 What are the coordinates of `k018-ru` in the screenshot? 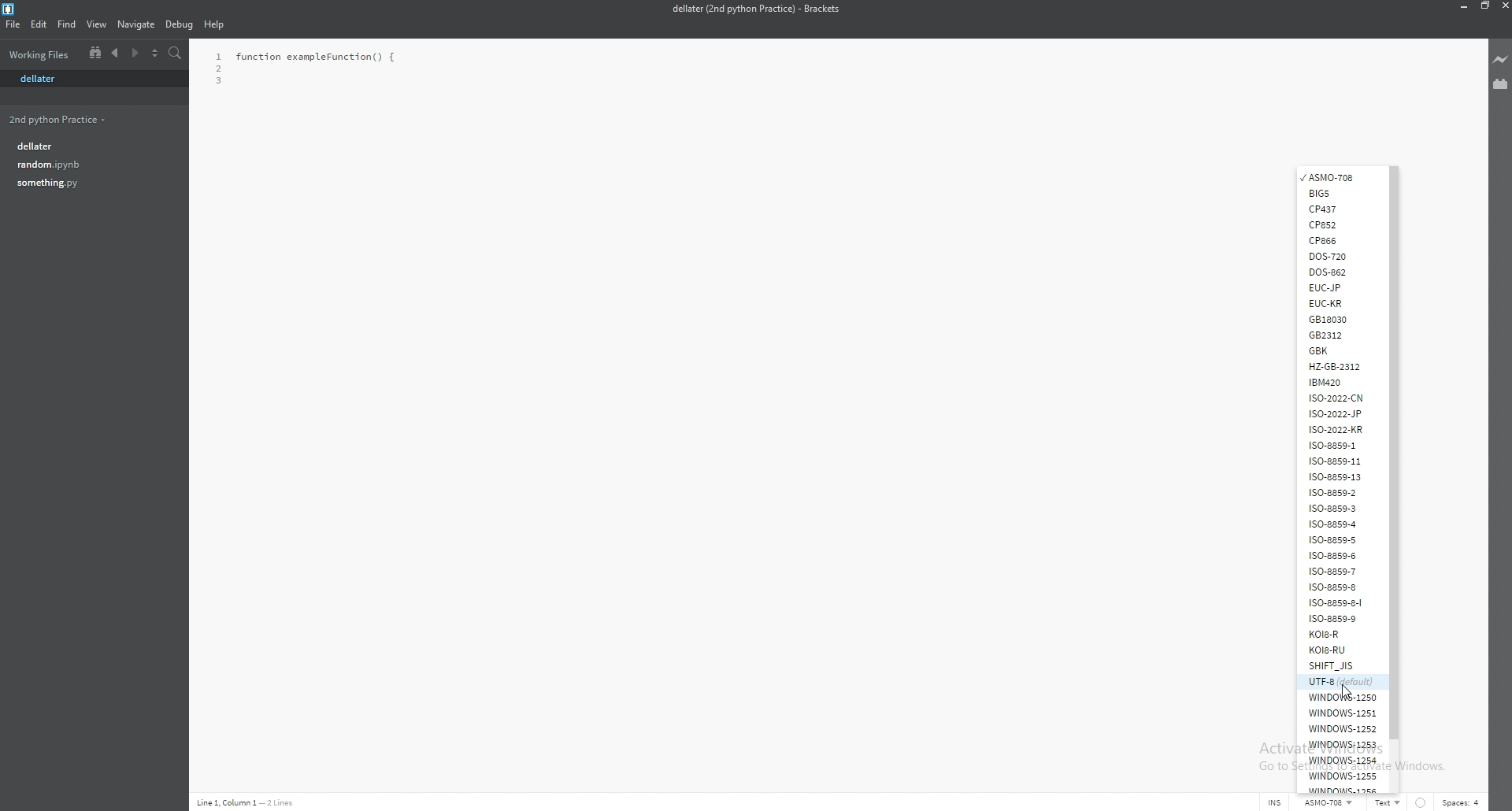 It's located at (1341, 650).